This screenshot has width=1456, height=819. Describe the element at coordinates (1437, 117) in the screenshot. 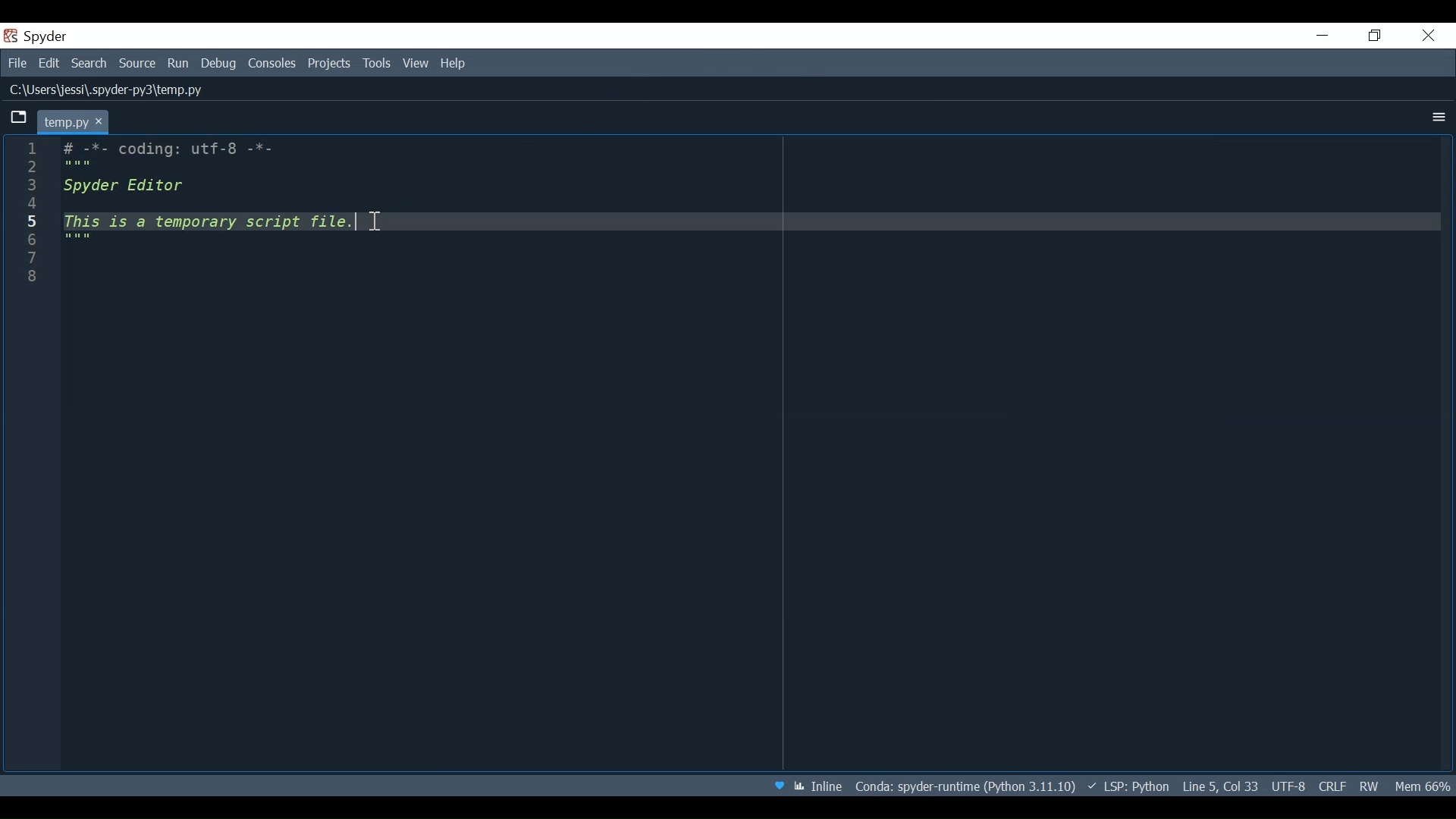

I see `More Options` at that location.